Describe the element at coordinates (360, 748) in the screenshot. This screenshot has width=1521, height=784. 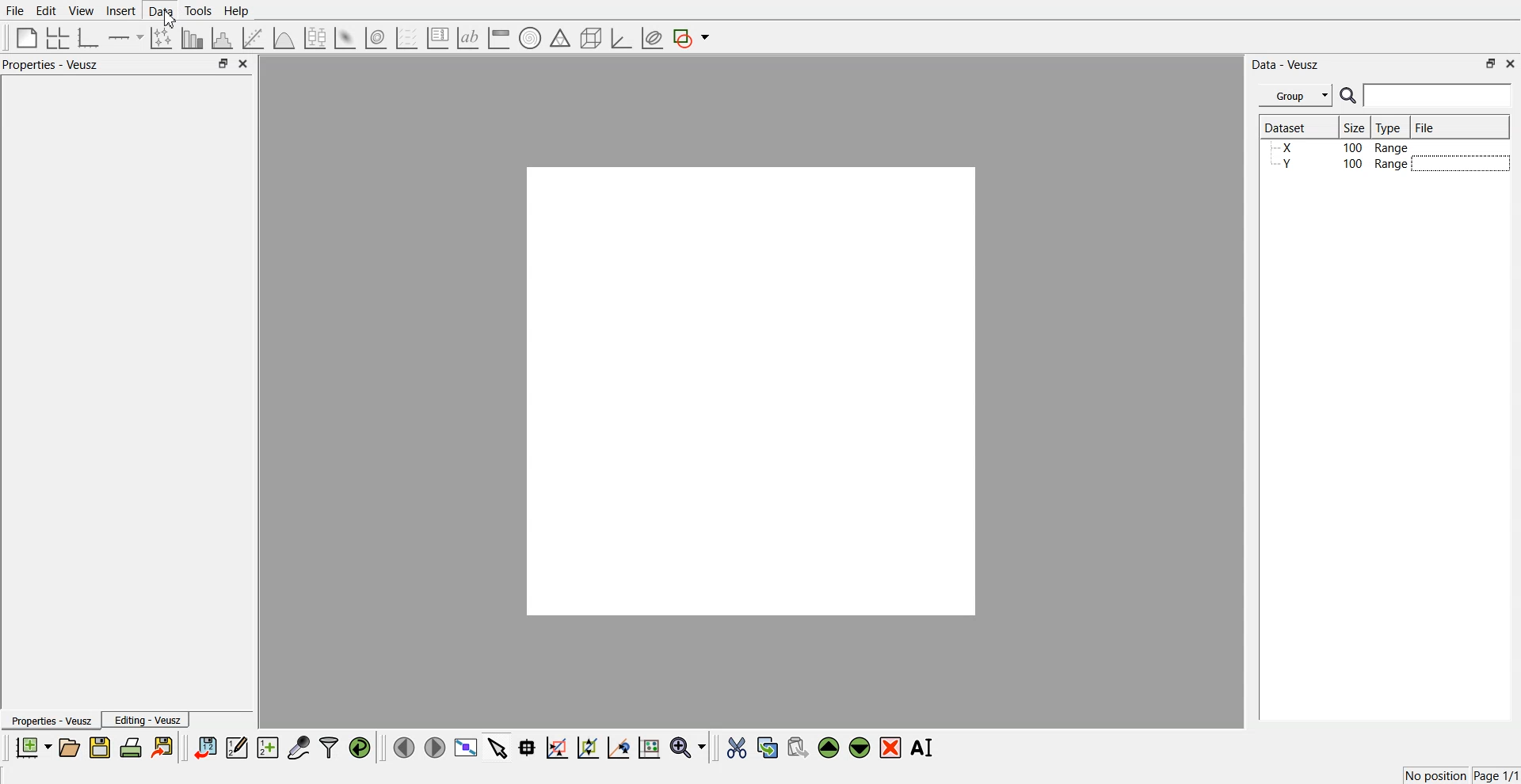
I see `Reload linked dataset` at that location.